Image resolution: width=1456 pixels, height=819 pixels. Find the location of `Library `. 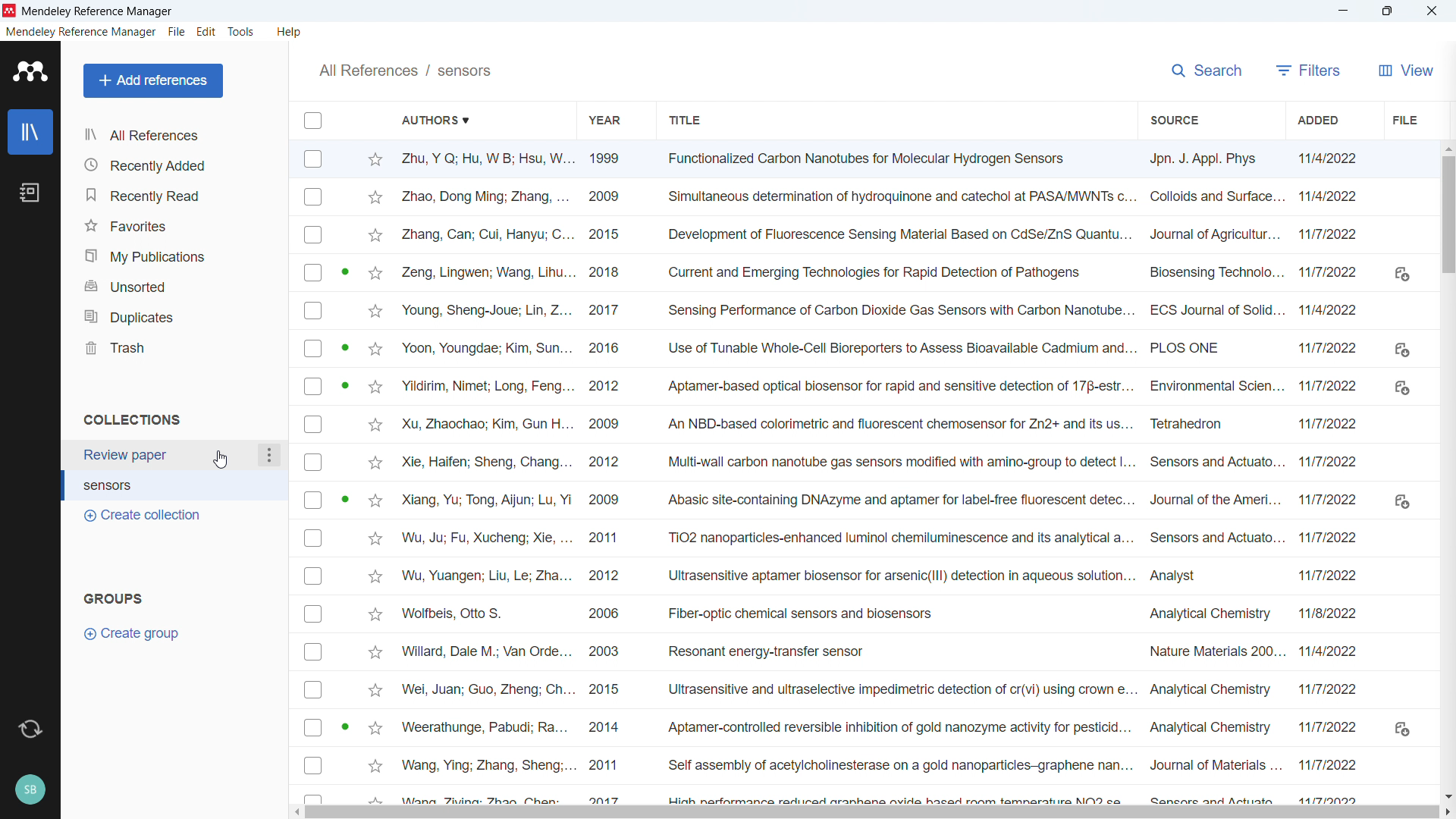

Library  is located at coordinates (30, 132).